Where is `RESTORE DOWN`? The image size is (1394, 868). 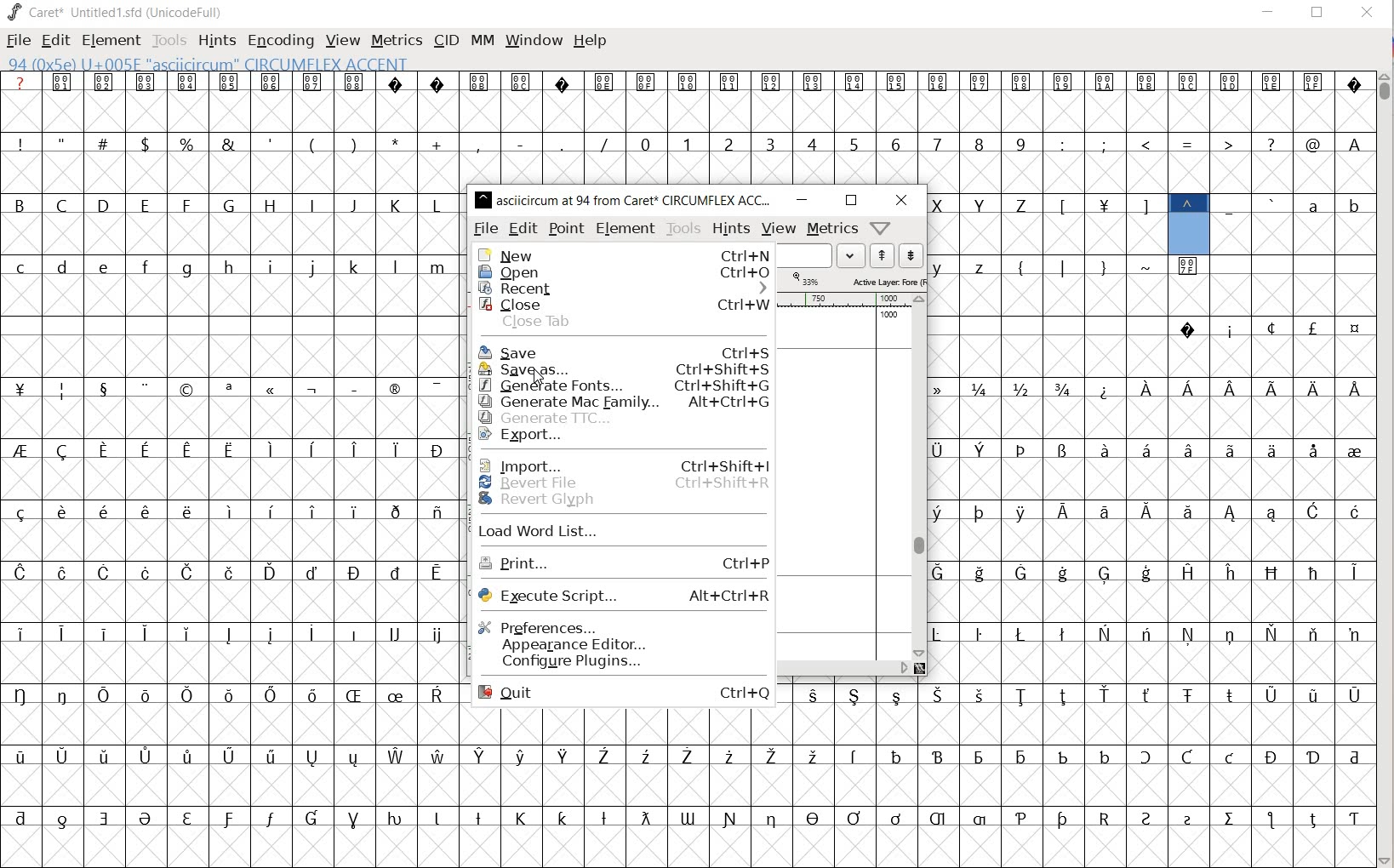
RESTORE DOWN is located at coordinates (1317, 16).